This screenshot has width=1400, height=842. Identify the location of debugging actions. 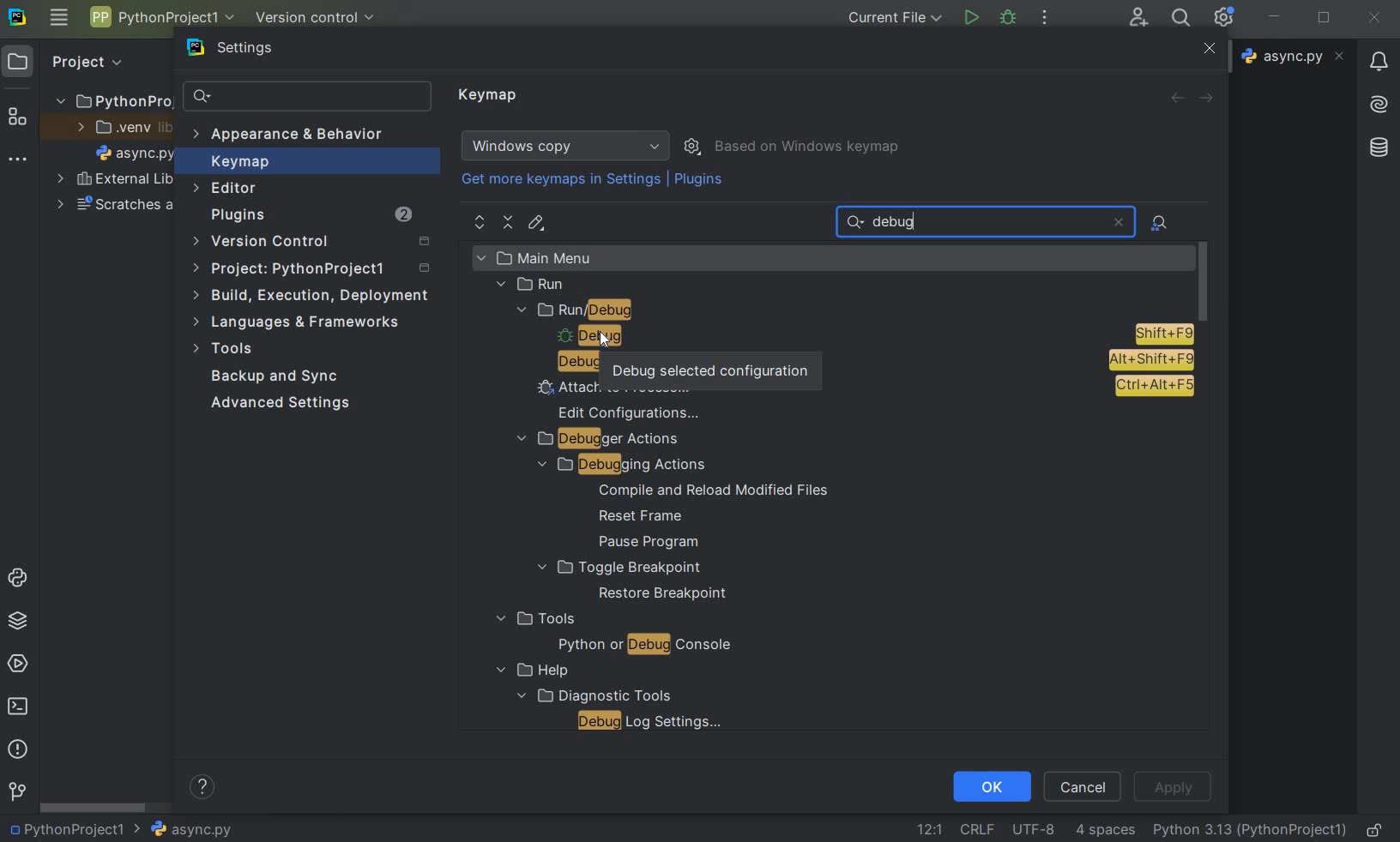
(614, 465).